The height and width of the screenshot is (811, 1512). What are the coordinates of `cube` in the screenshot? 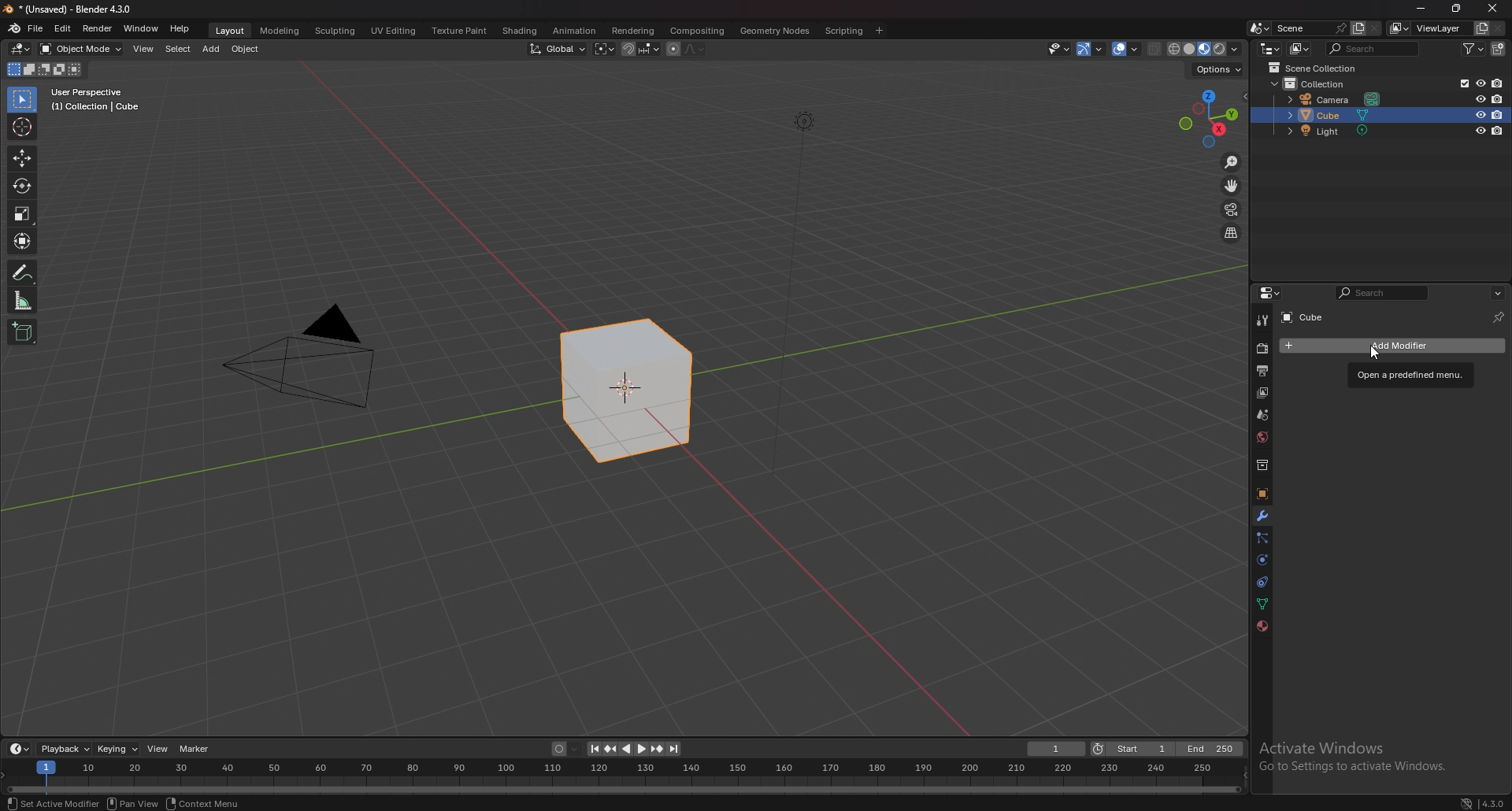 It's located at (1356, 345).